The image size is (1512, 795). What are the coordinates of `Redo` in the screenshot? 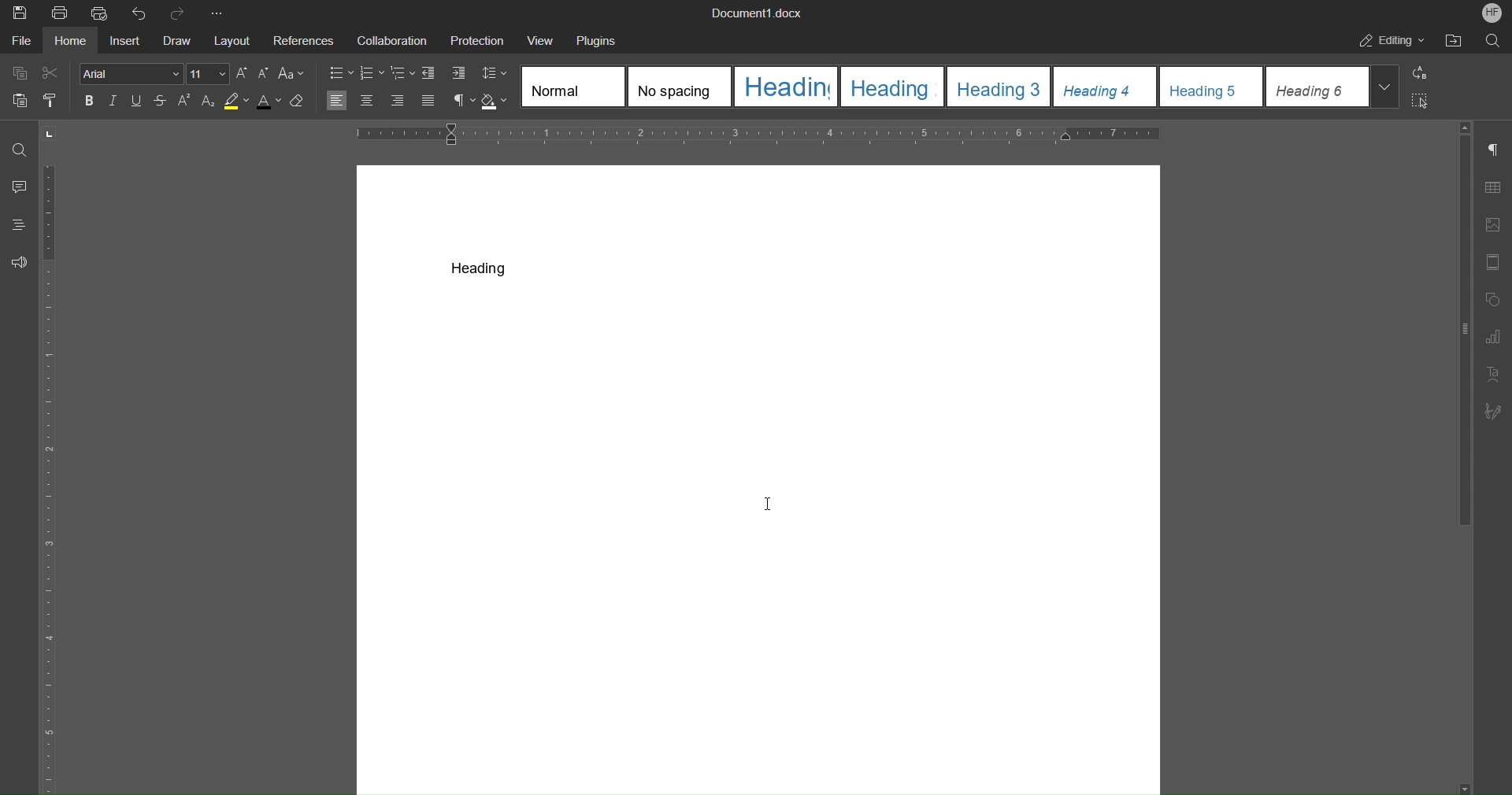 It's located at (178, 13).